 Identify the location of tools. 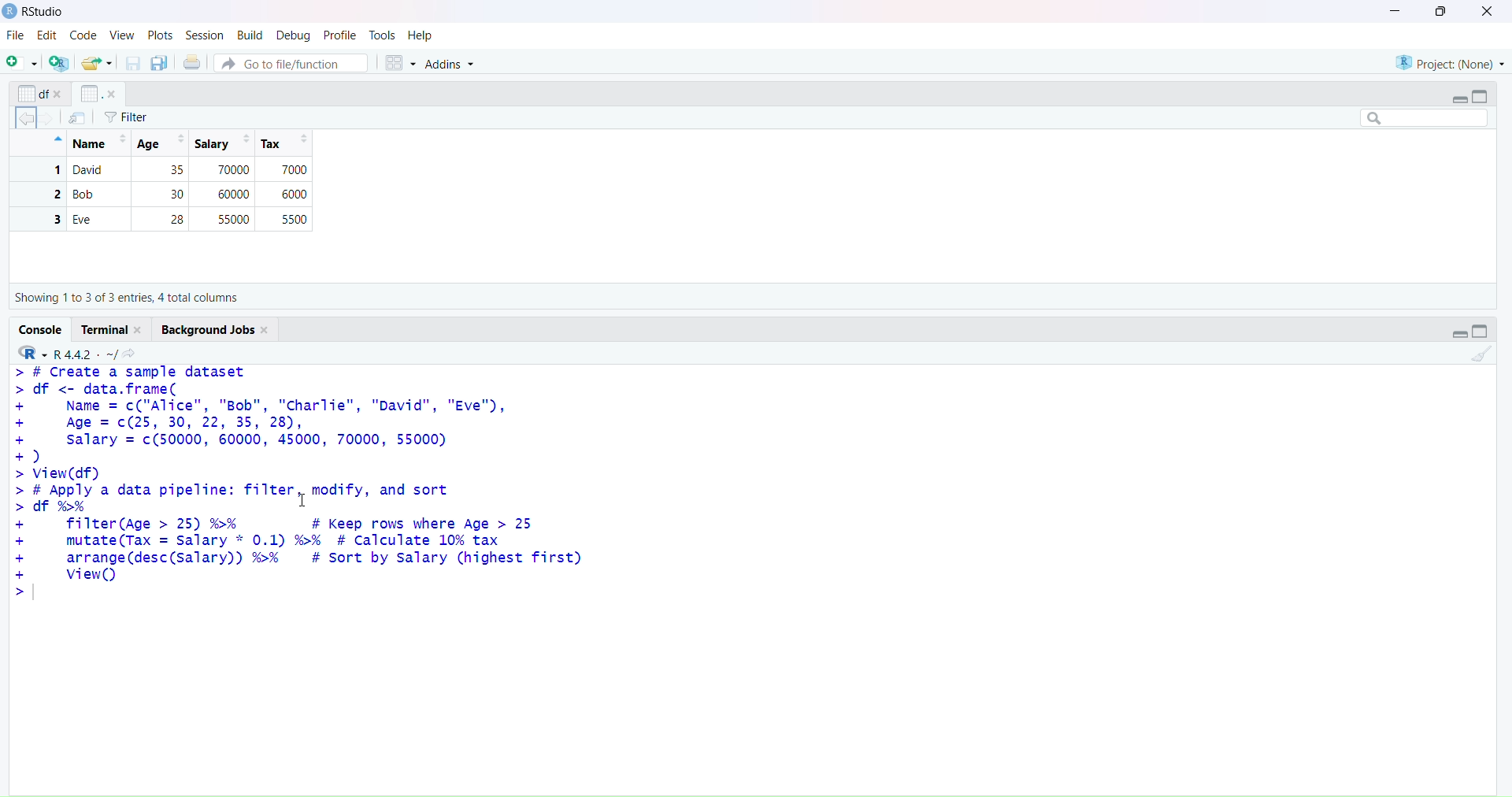
(384, 34).